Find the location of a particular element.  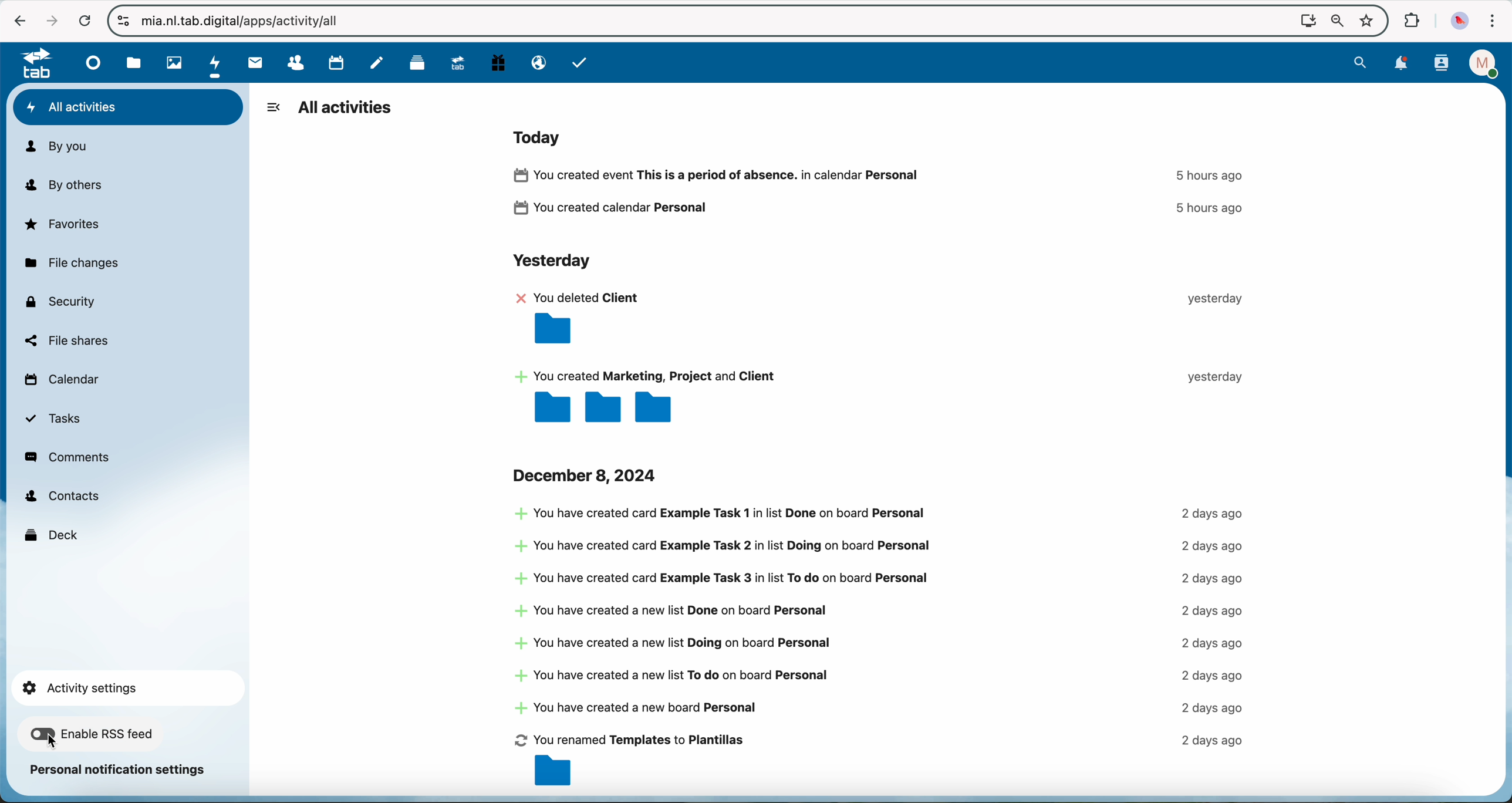

customize and control Google Chrome is located at coordinates (1493, 22).